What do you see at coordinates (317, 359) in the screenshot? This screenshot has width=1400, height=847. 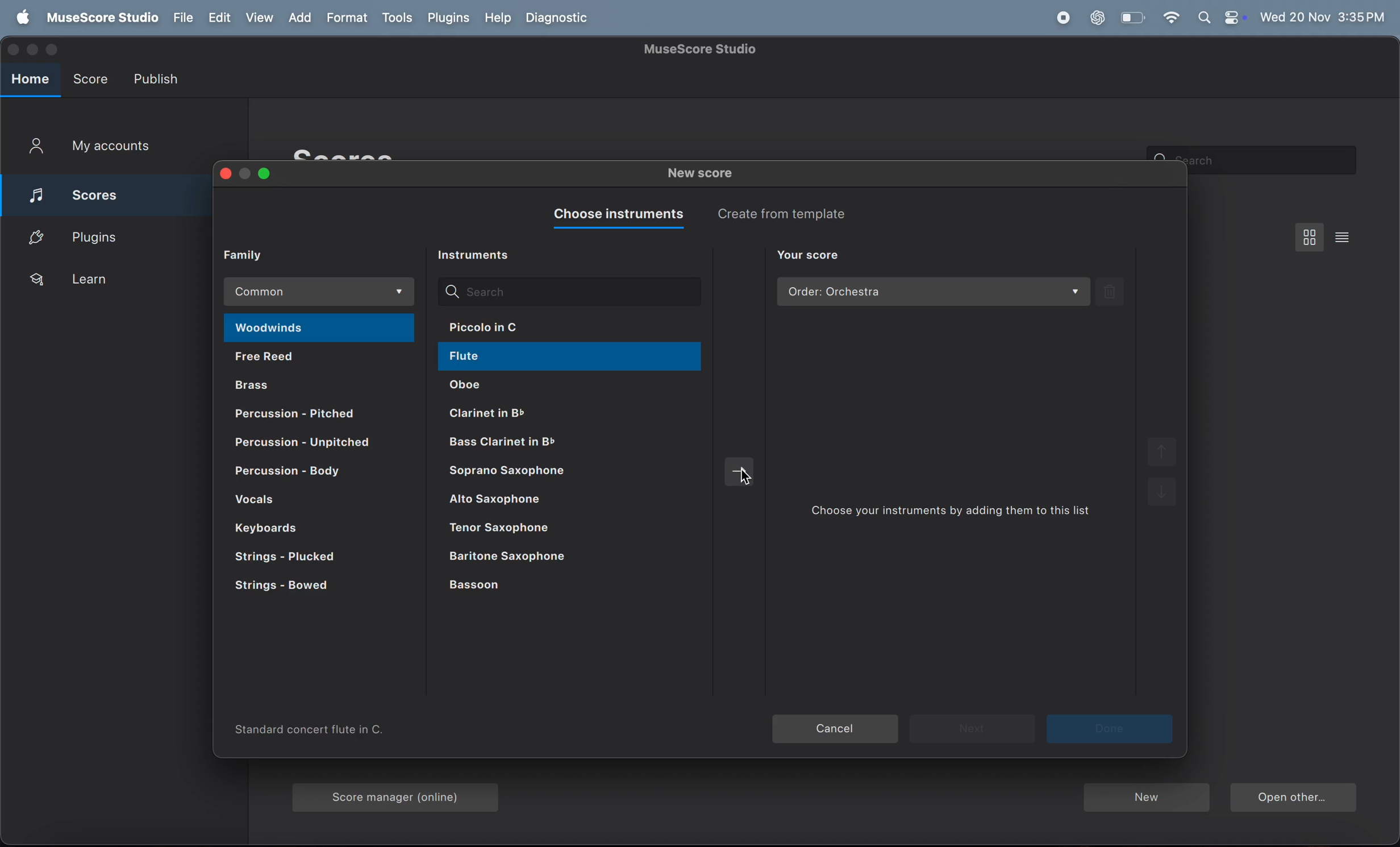 I see `free reed` at bounding box center [317, 359].